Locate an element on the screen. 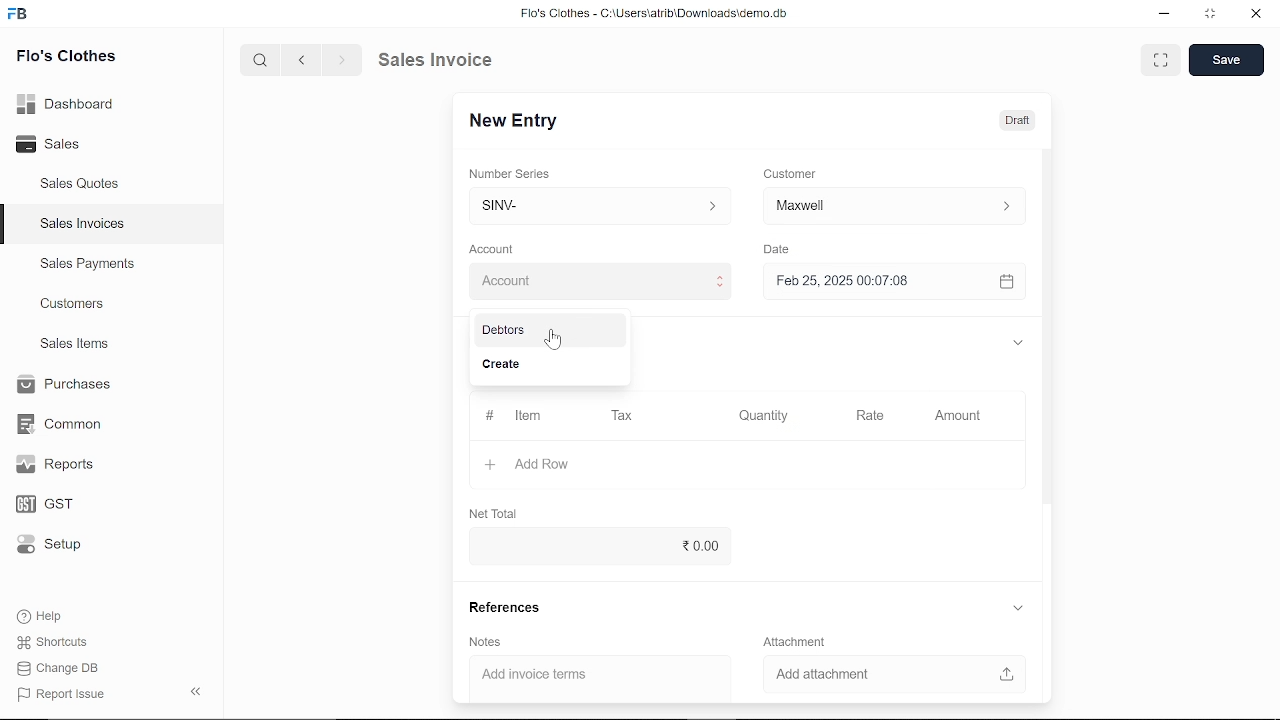 Image resolution: width=1280 pixels, height=720 pixels. Purchases is located at coordinates (67, 386).